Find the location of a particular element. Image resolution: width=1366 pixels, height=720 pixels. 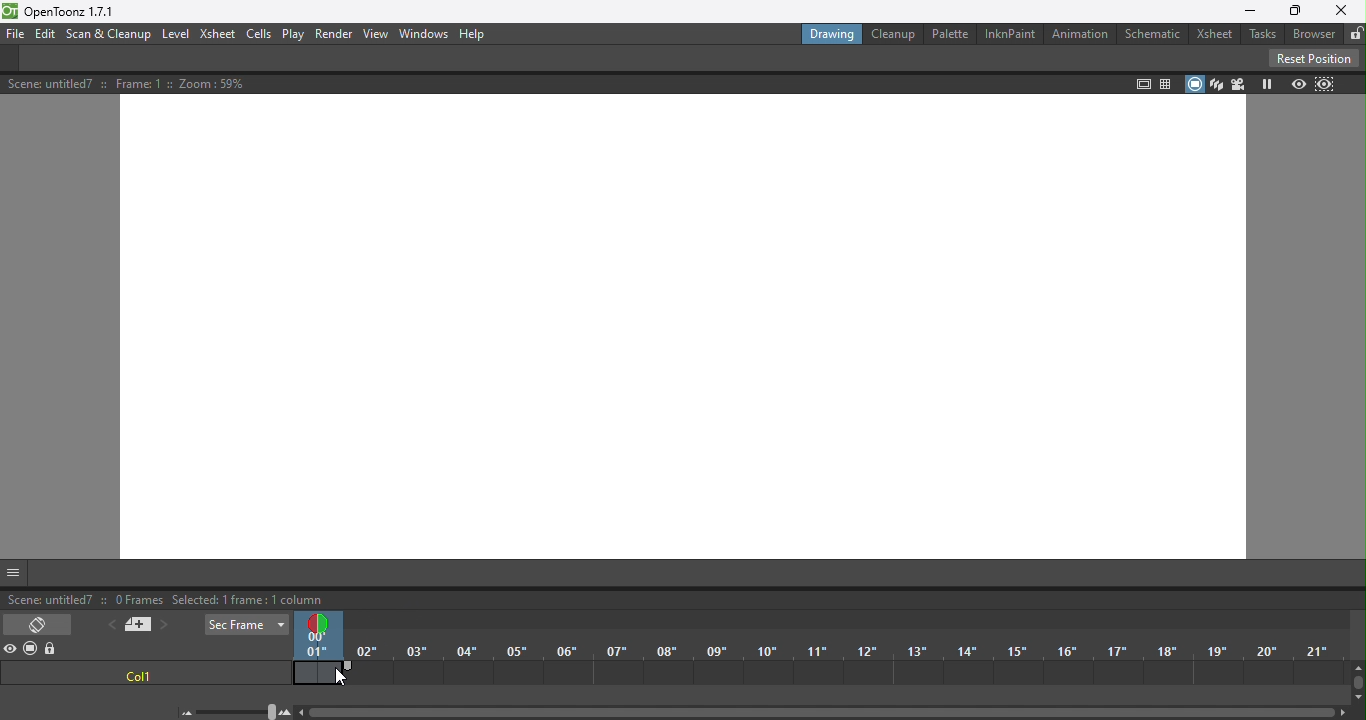

Play is located at coordinates (291, 35).